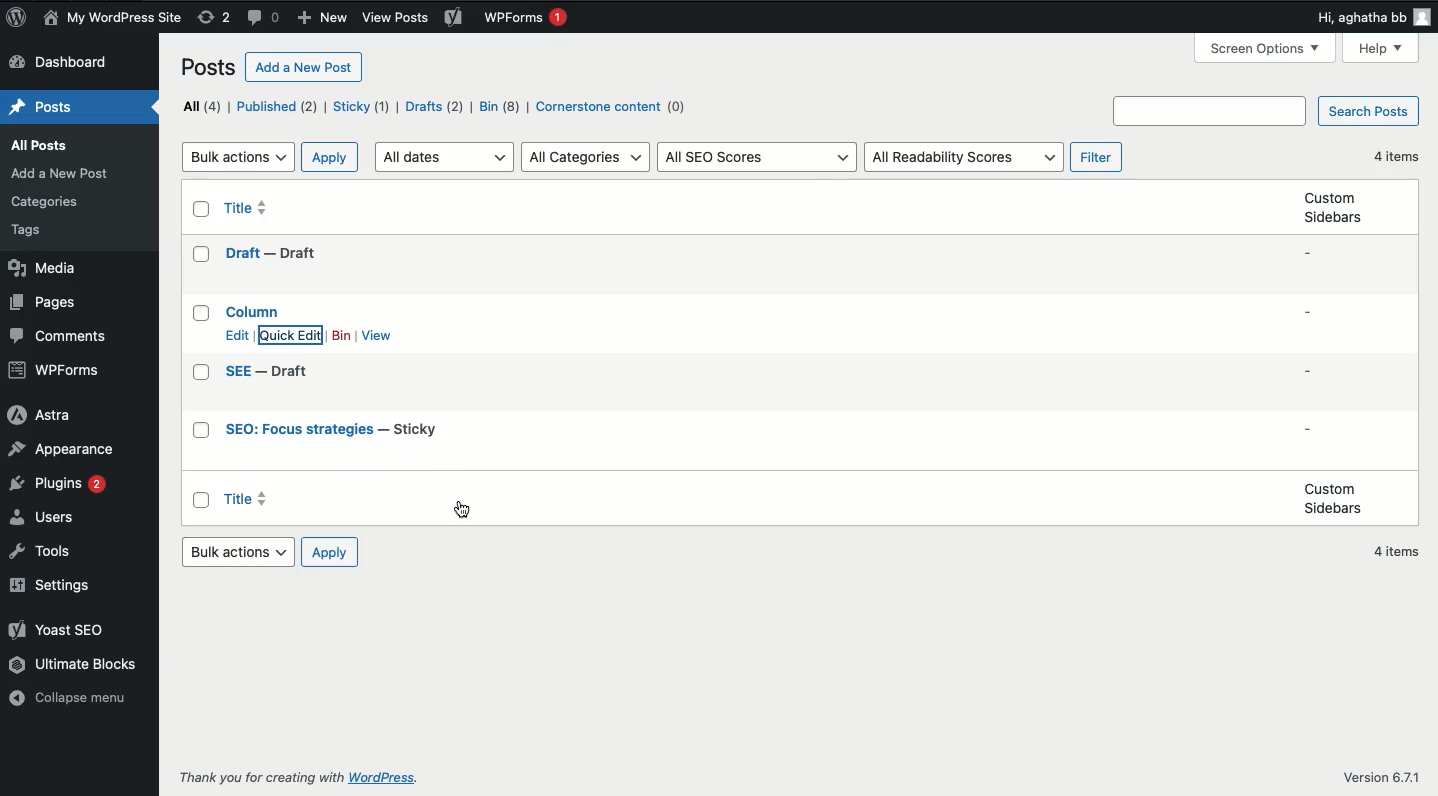 This screenshot has height=796, width=1438. Describe the element at coordinates (46, 145) in the screenshot. I see `Posts` at that location.